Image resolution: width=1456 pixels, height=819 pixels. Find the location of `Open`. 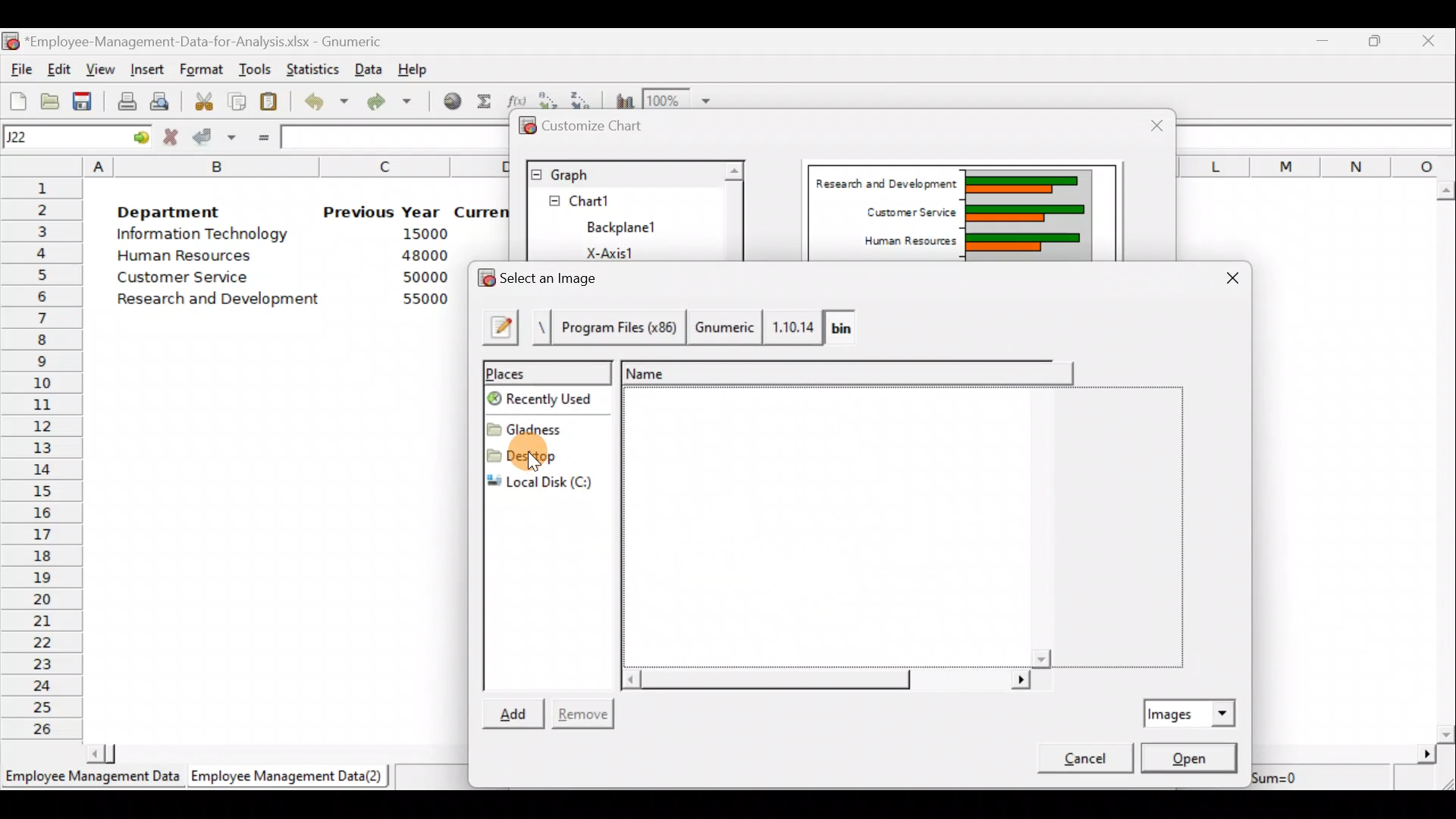

Open is located at coordinates (1189, 758).